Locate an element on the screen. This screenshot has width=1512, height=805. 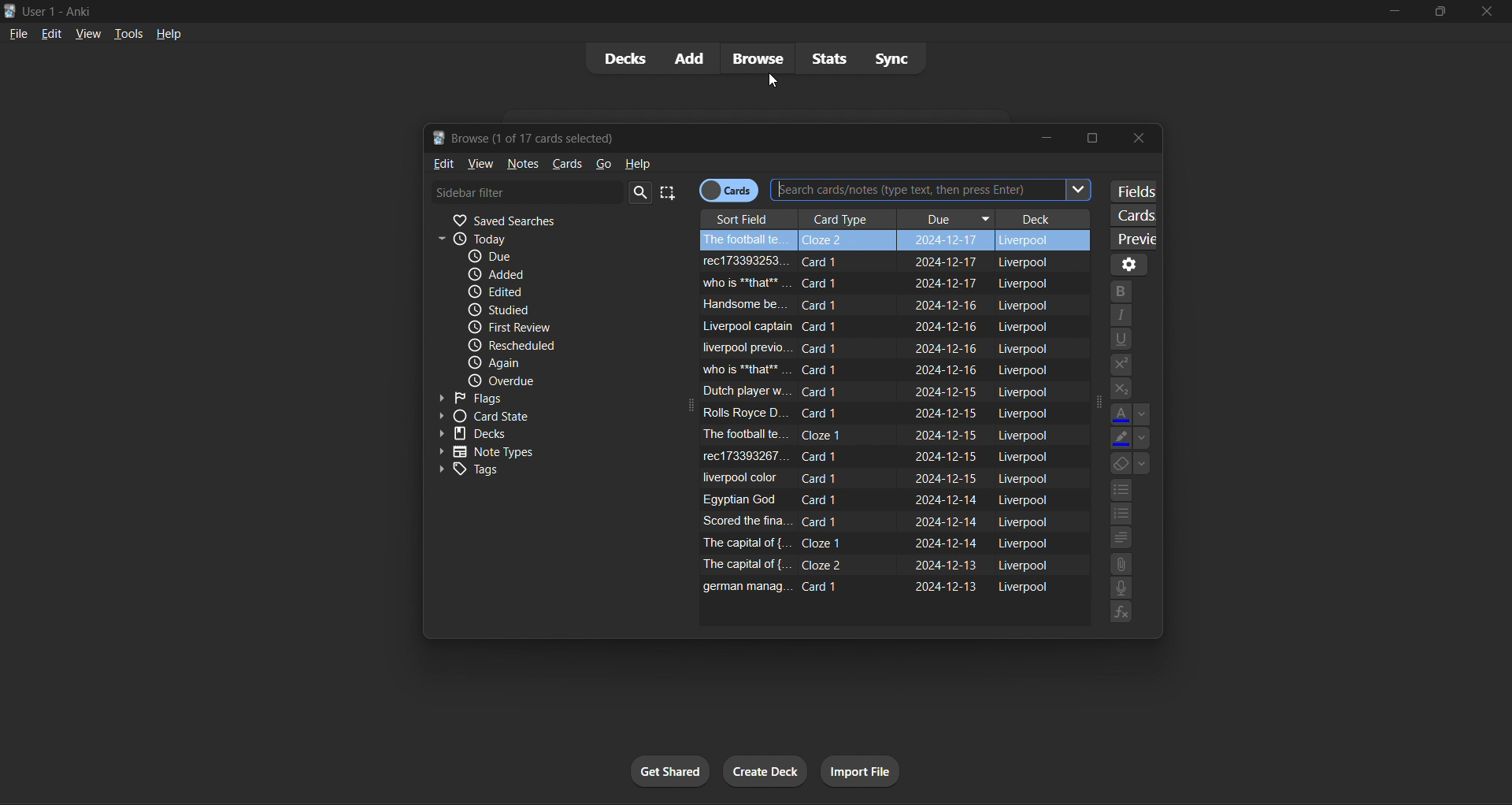
flags filter is located at coordinates (535, 399).